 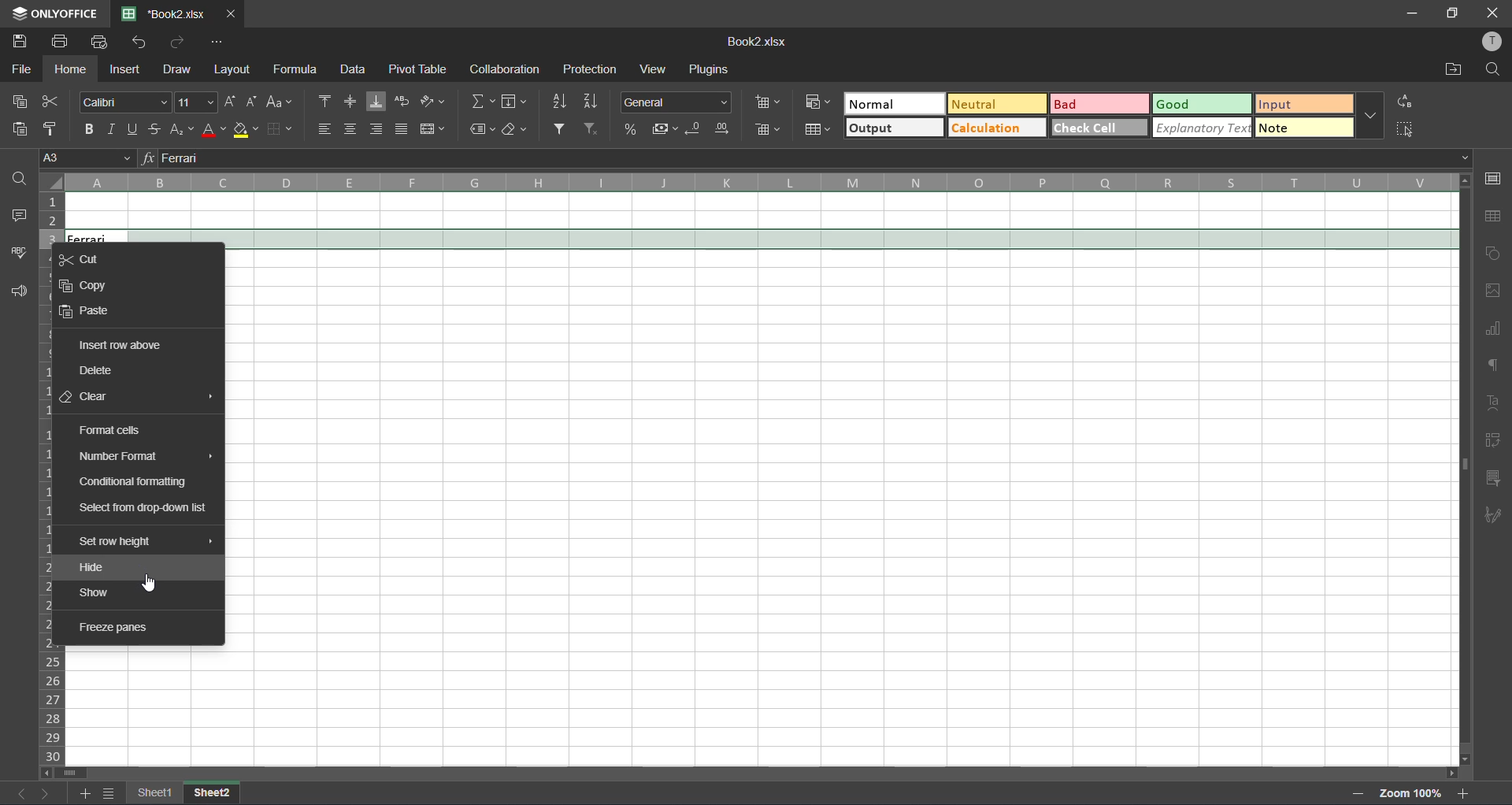 I want to click on copy, so click(x=89, y=287).